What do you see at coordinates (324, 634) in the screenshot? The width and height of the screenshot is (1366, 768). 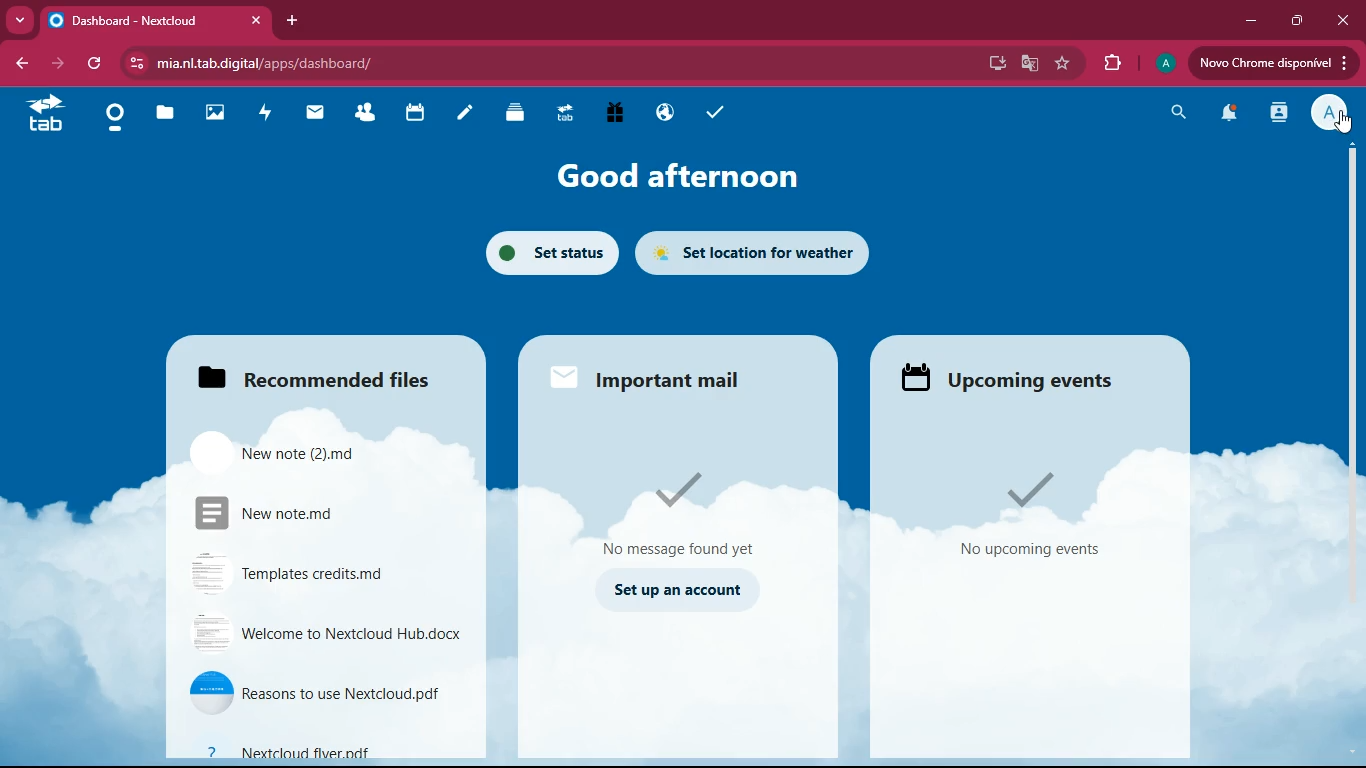 I see `file` at bounding box center [324, 634].